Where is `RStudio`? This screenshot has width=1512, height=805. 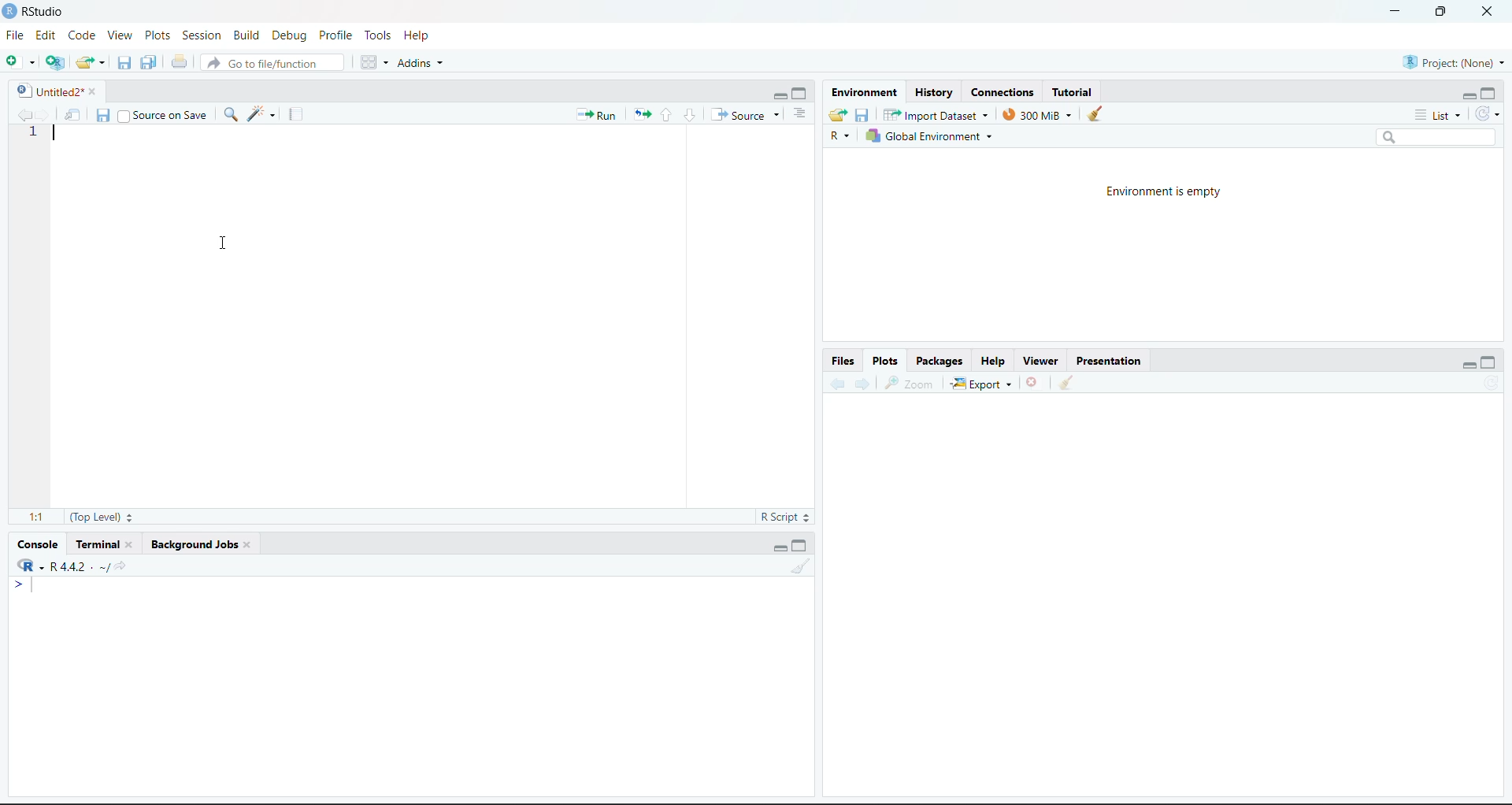
RStudio is located at coordinates (40, 11).